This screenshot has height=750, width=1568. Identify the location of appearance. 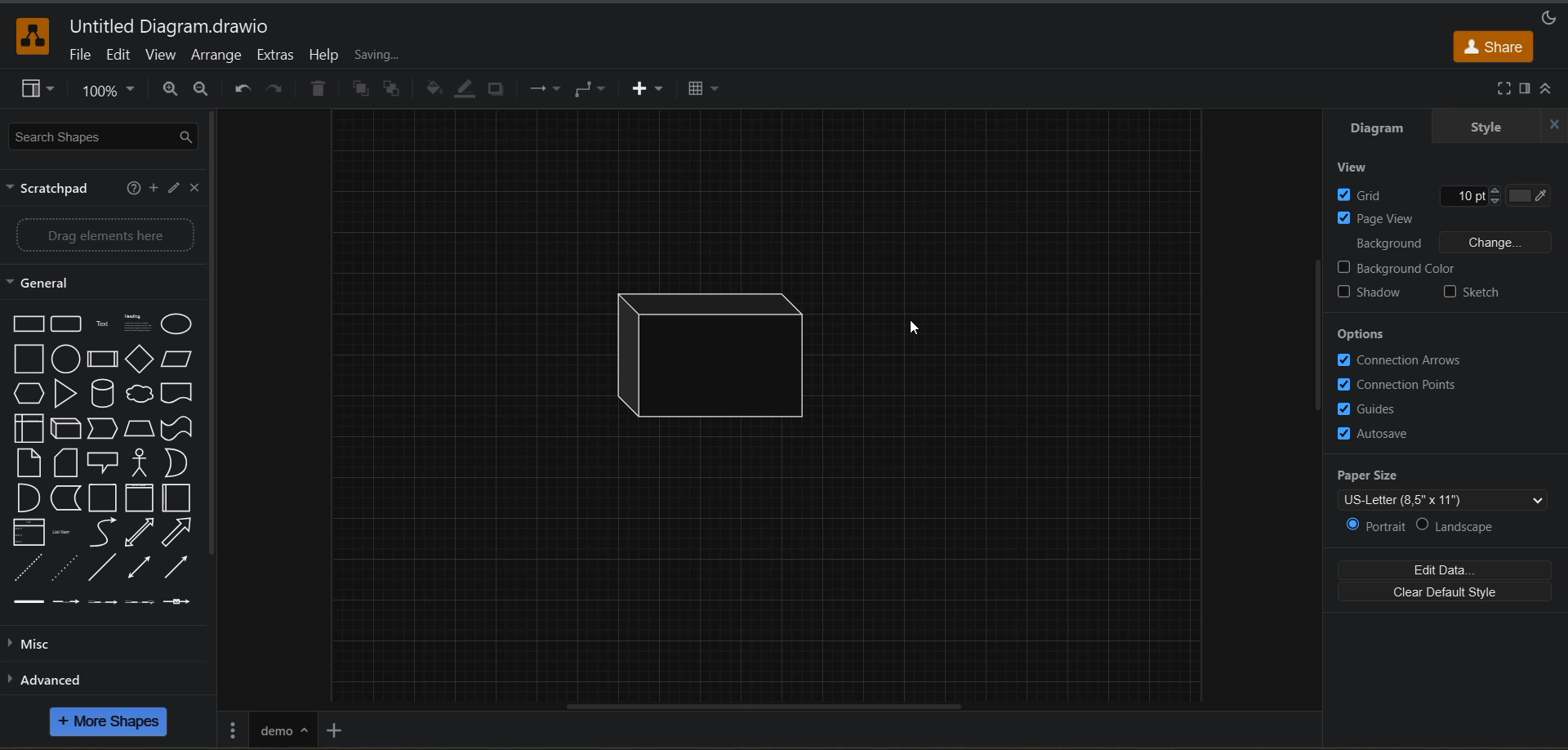
(1548, 19).